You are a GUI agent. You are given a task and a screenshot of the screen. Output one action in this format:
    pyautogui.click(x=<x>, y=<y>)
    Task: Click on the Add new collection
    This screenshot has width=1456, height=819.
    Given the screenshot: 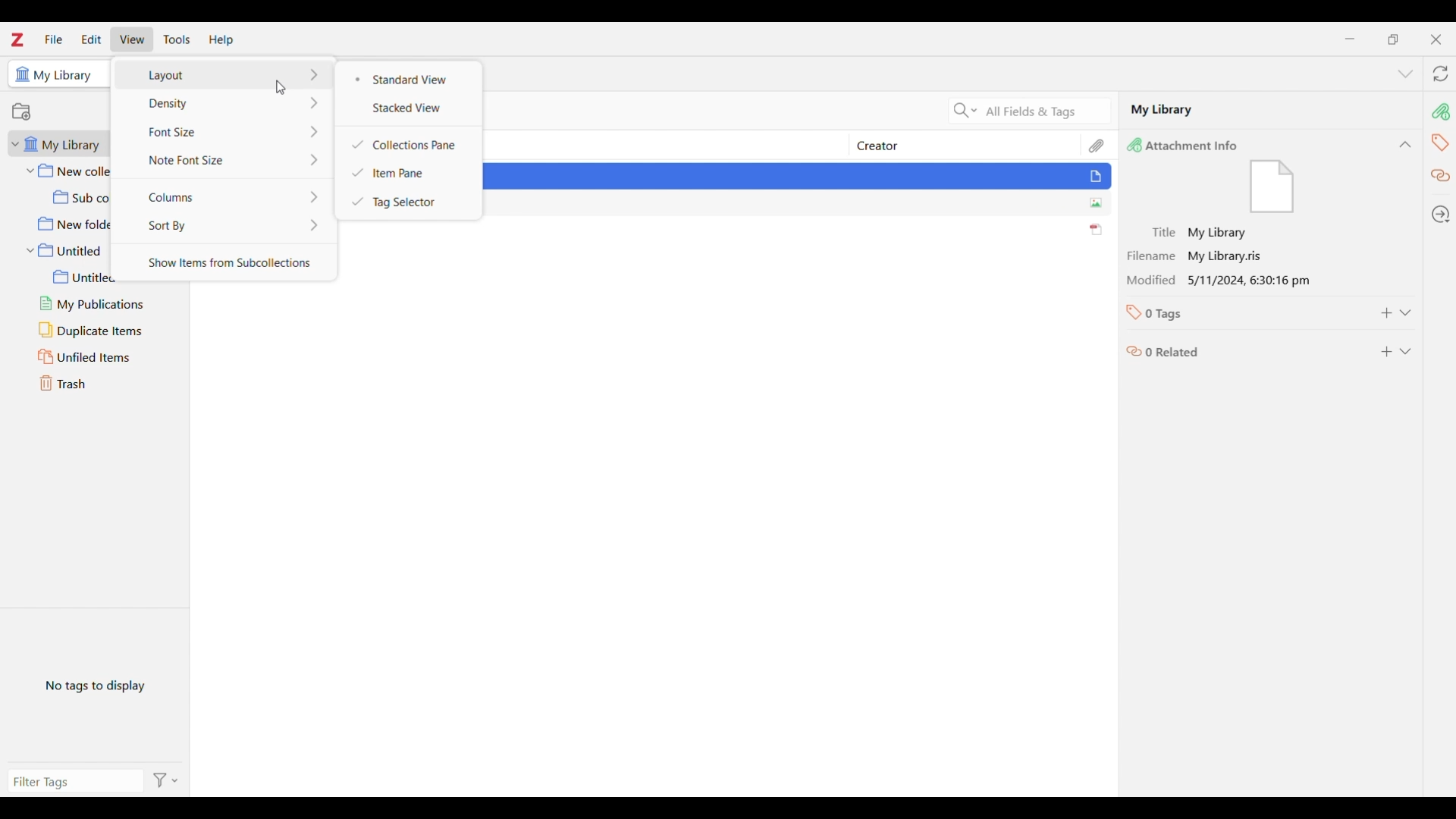 What is the action you would take?
    pyautogui.click(x=21, y=111)
    